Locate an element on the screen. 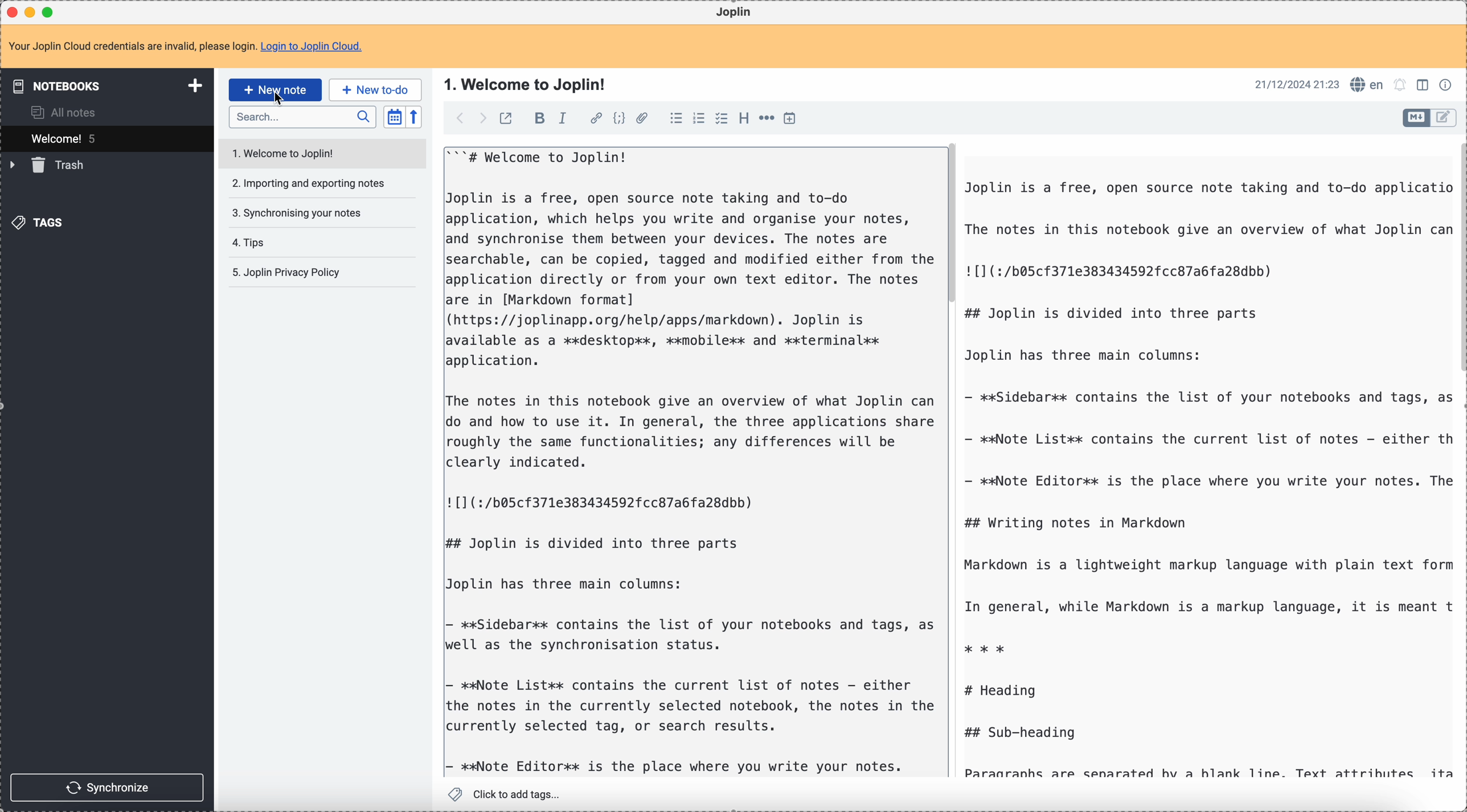 The width and height of the screenshot is (1467, 812). body text is located at coordinates (691, 462).